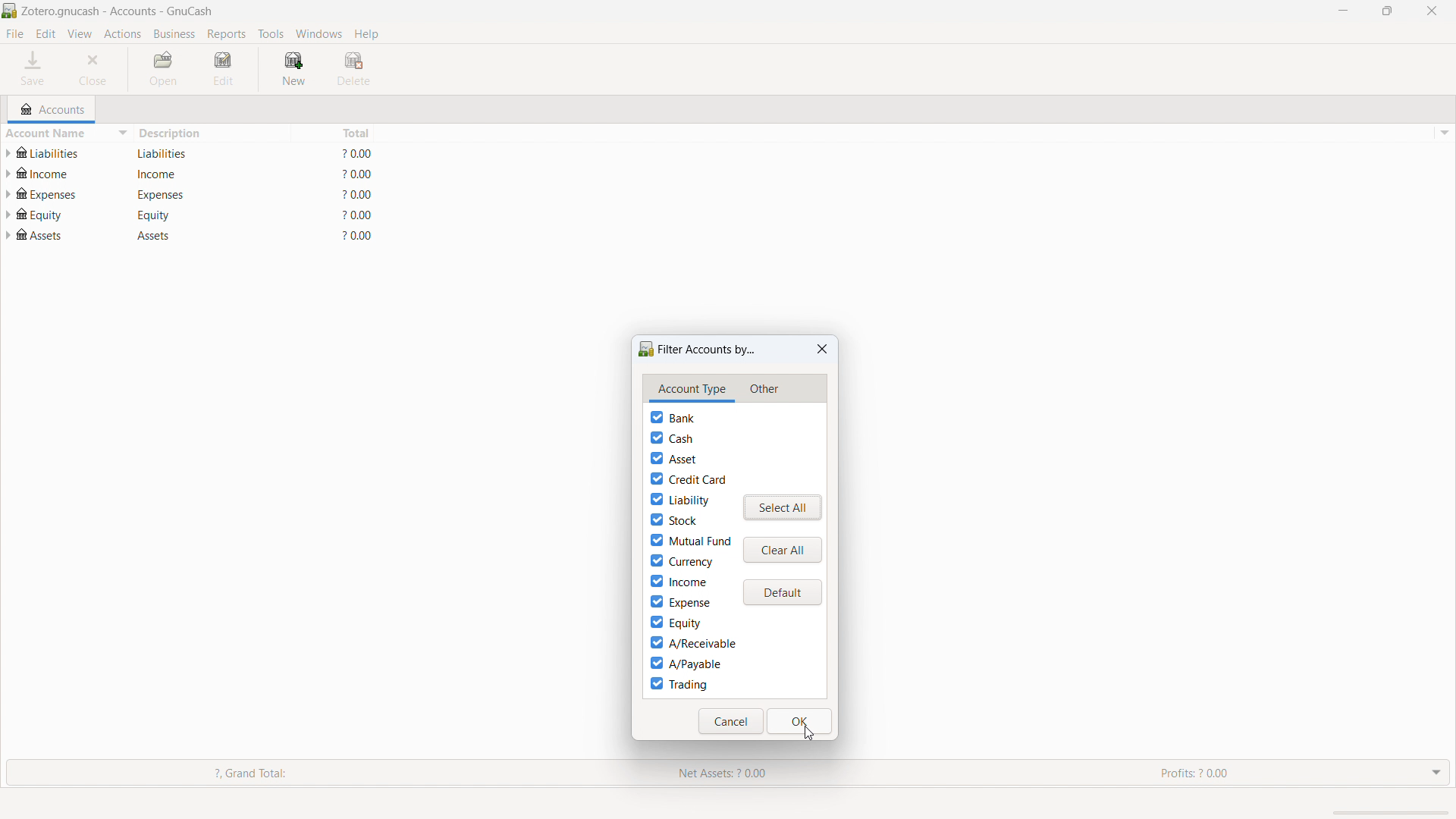 The width and height of the screenshot is (1456, 819). Describe the element at coordinates (350, 236) in the screenshot. I see `total` at that location.